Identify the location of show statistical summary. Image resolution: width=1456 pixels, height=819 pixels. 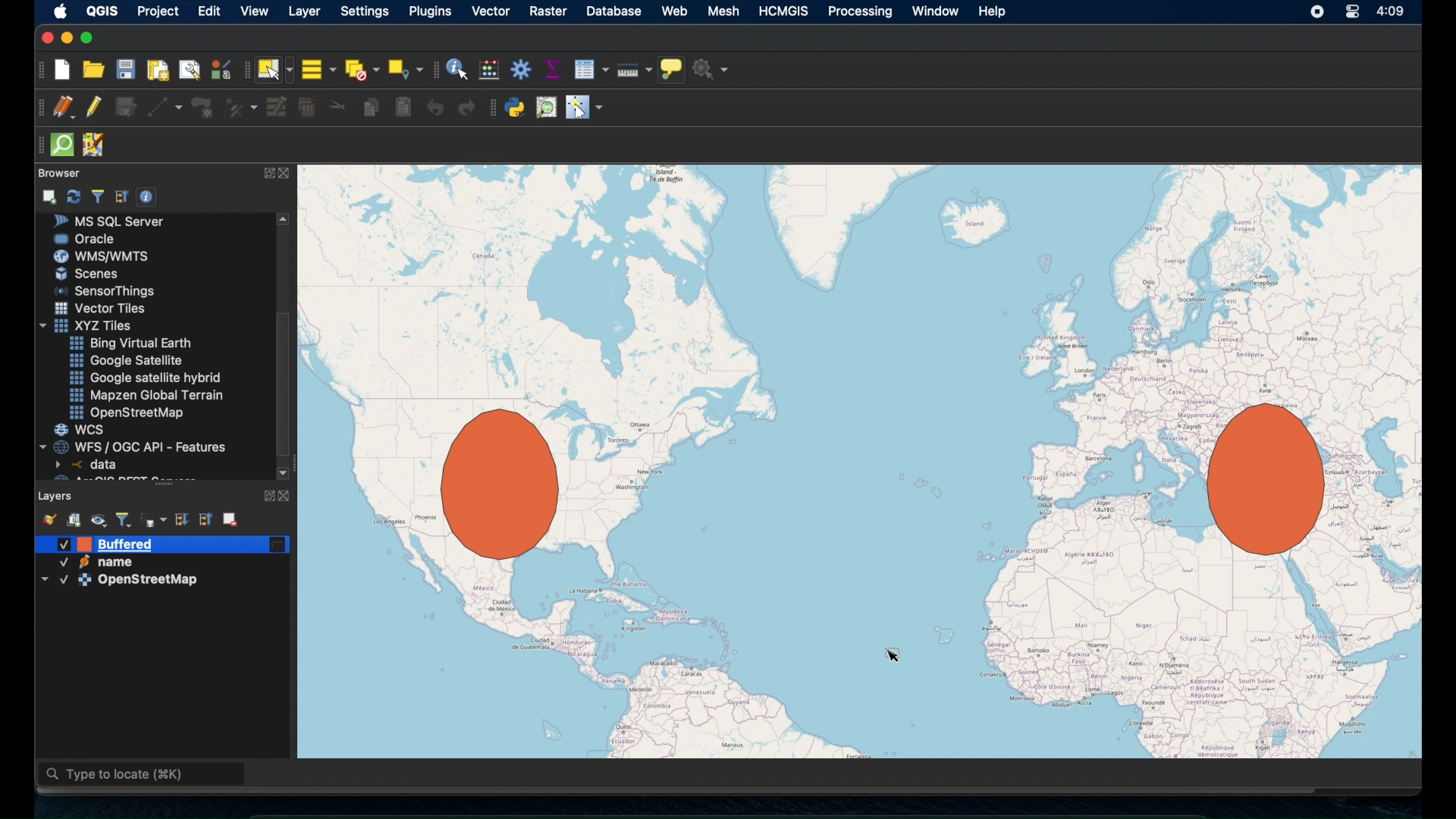
(552, 68).